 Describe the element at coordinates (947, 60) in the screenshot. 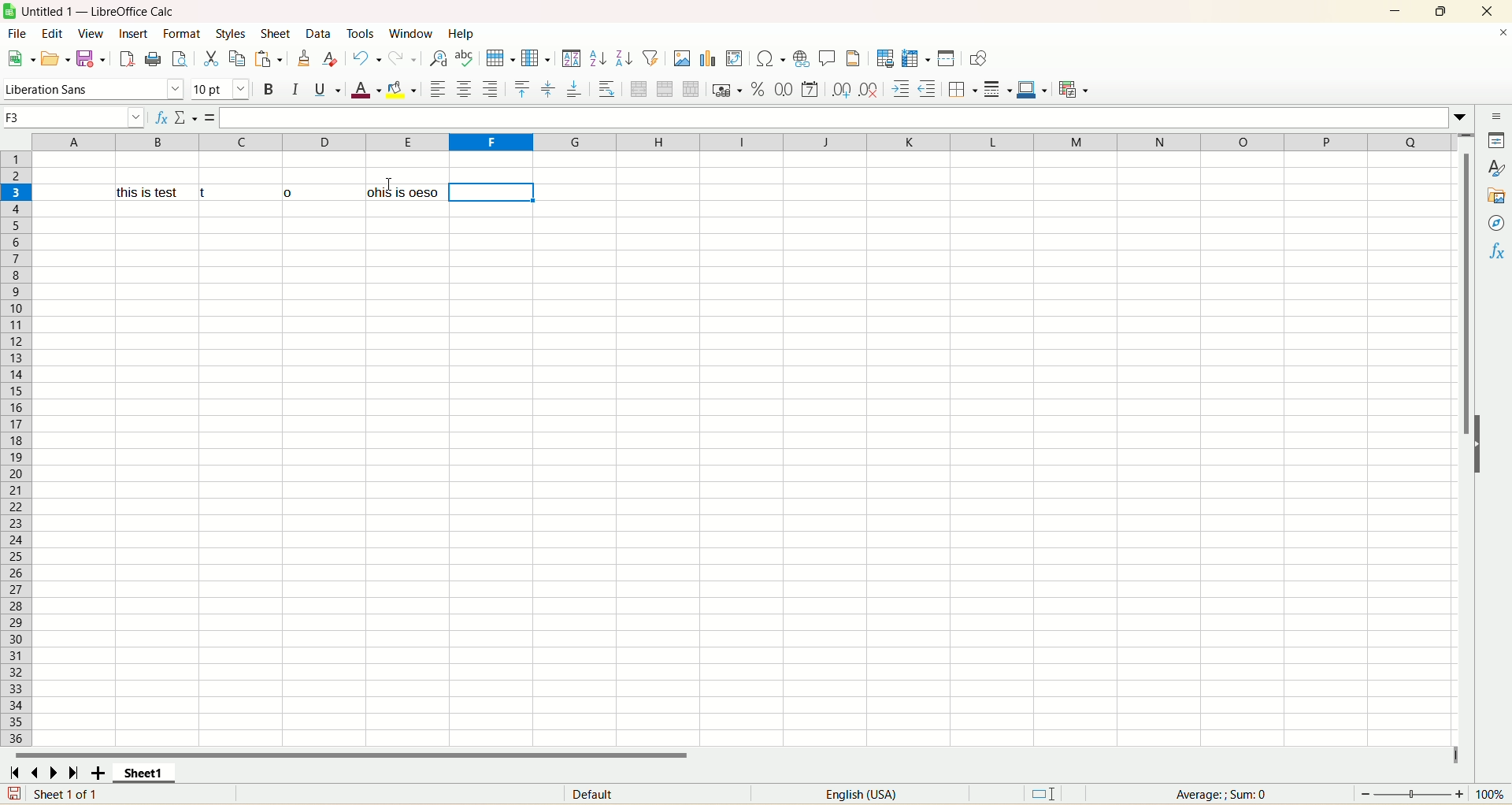

I see `split window` at that location.